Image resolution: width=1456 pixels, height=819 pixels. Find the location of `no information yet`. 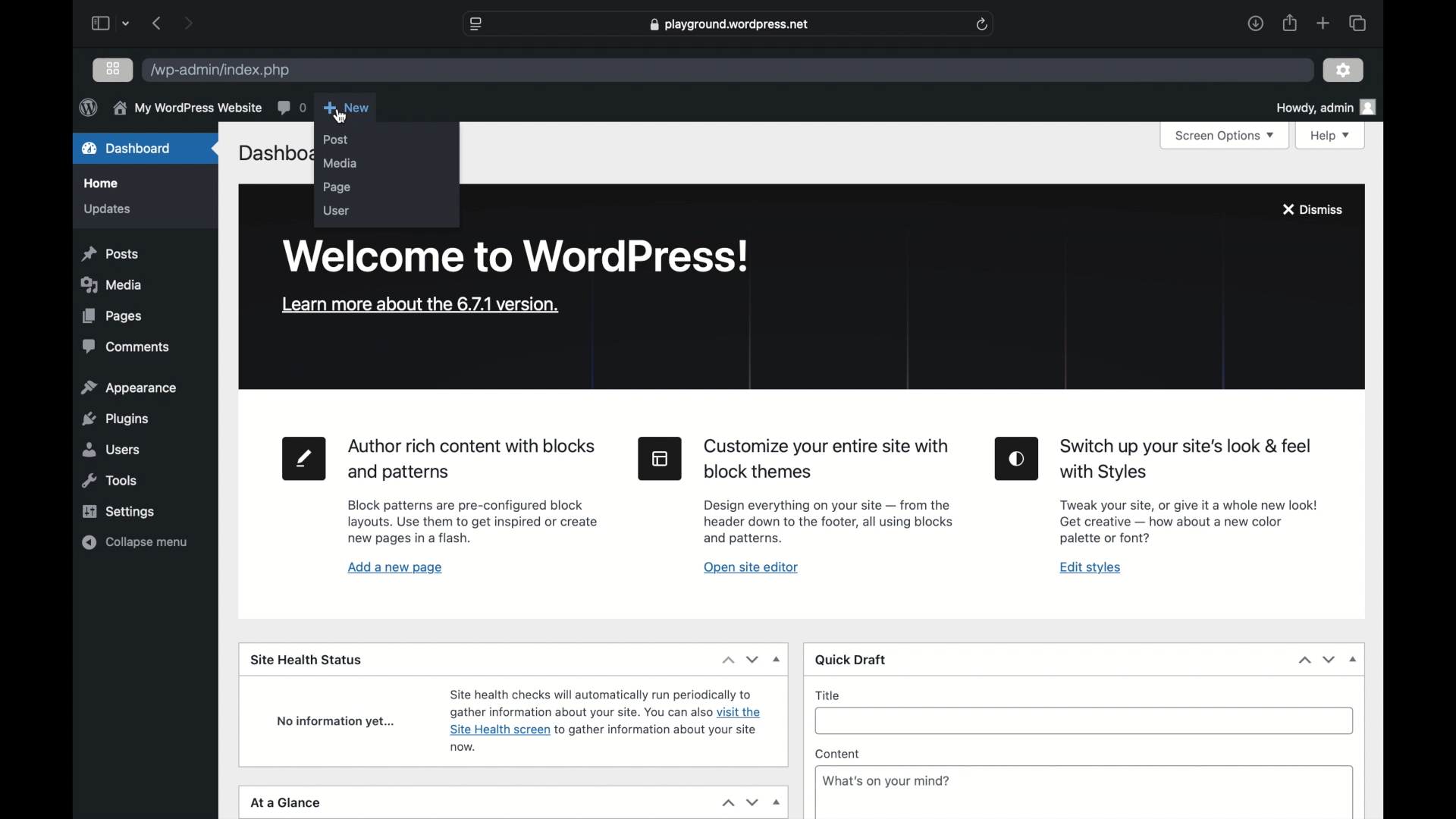

no information yet is located at coordinates (337, 723).